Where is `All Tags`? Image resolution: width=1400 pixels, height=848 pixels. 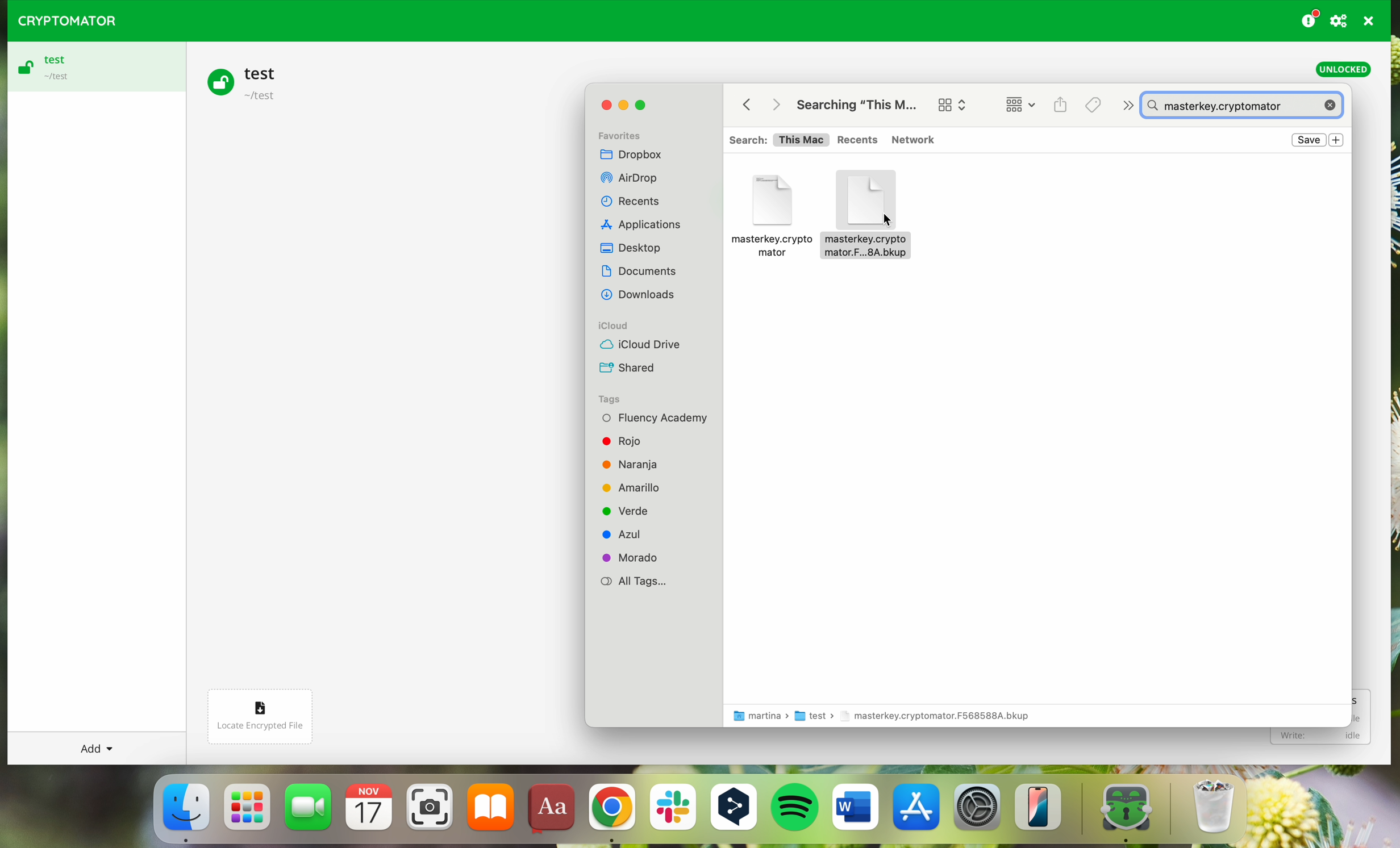 All Tags is located at coordinates (636, 582).